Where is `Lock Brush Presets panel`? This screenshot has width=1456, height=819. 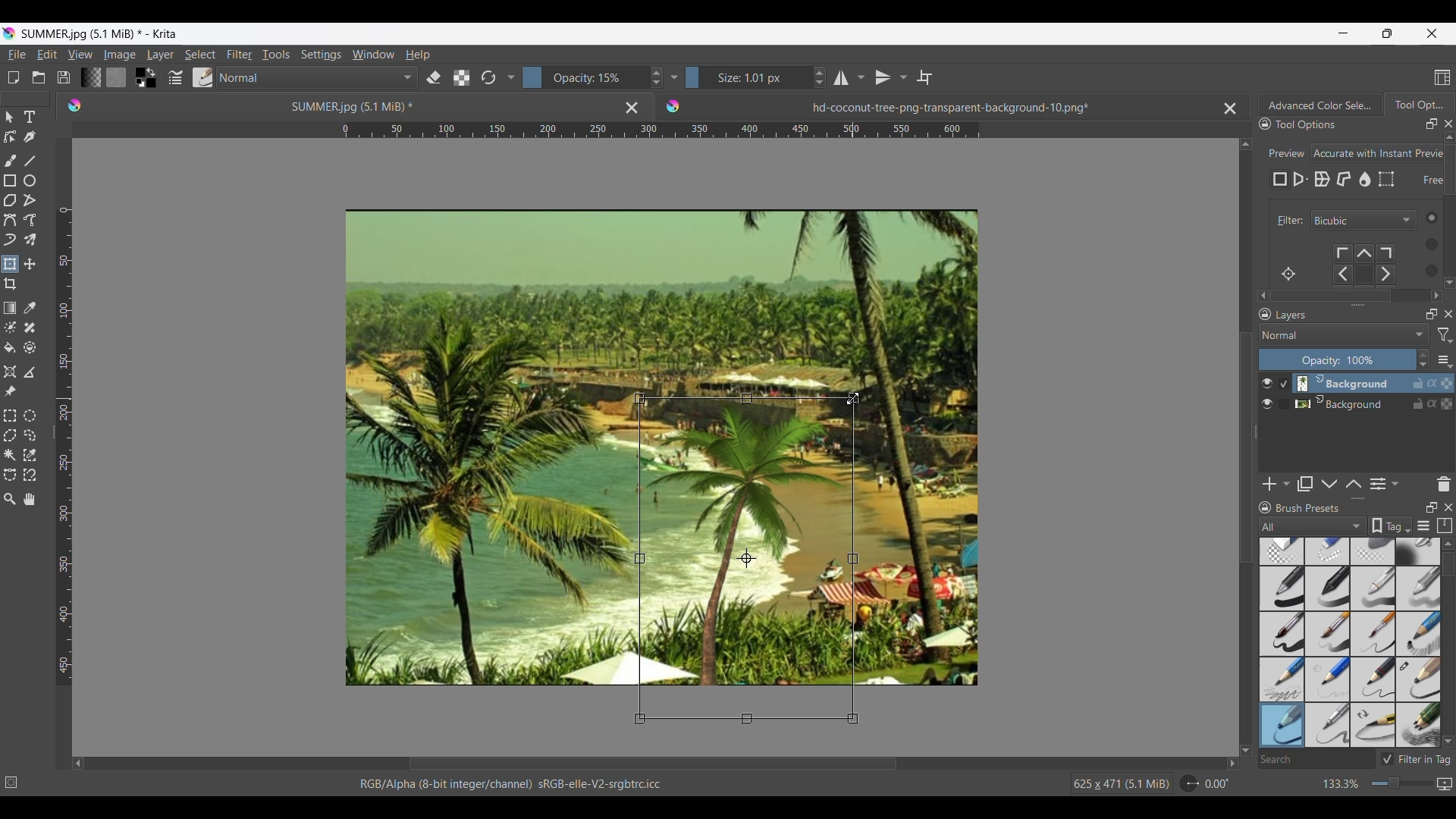
Lock Brush Presets panel is located at coordinates (1266, 507).